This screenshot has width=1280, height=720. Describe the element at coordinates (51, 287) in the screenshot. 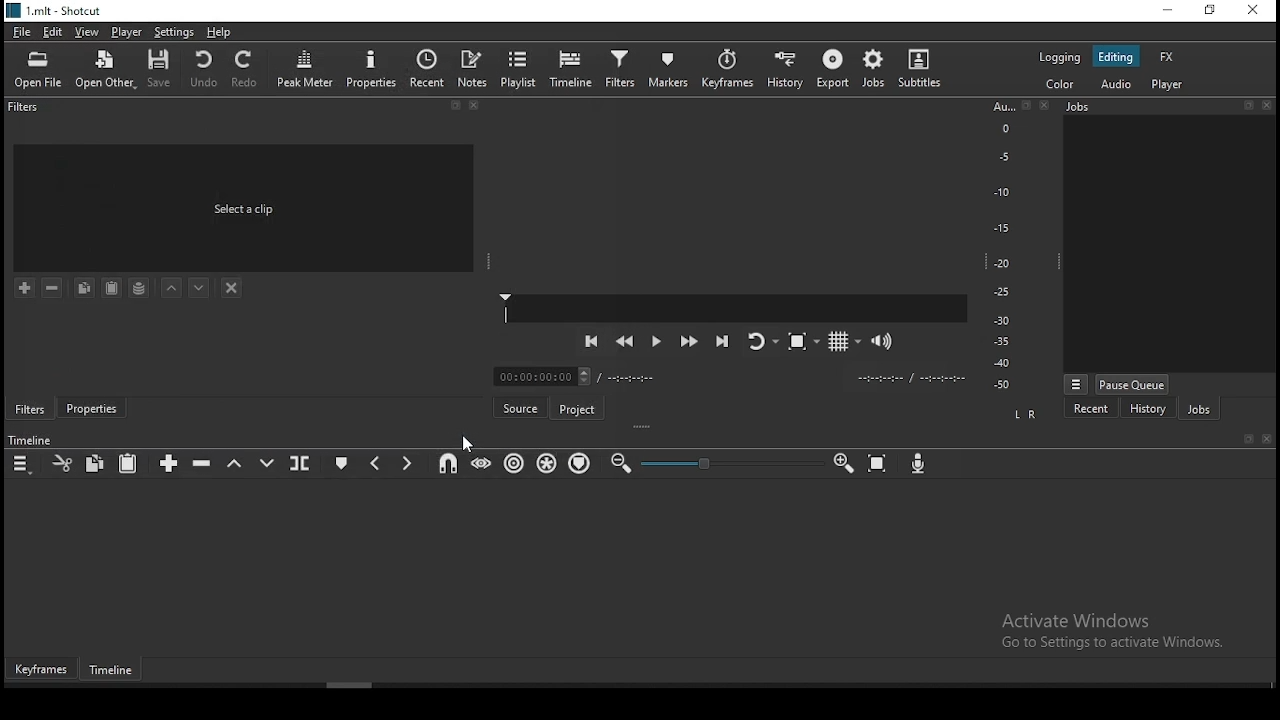

I see `remove selected filter` at that location.